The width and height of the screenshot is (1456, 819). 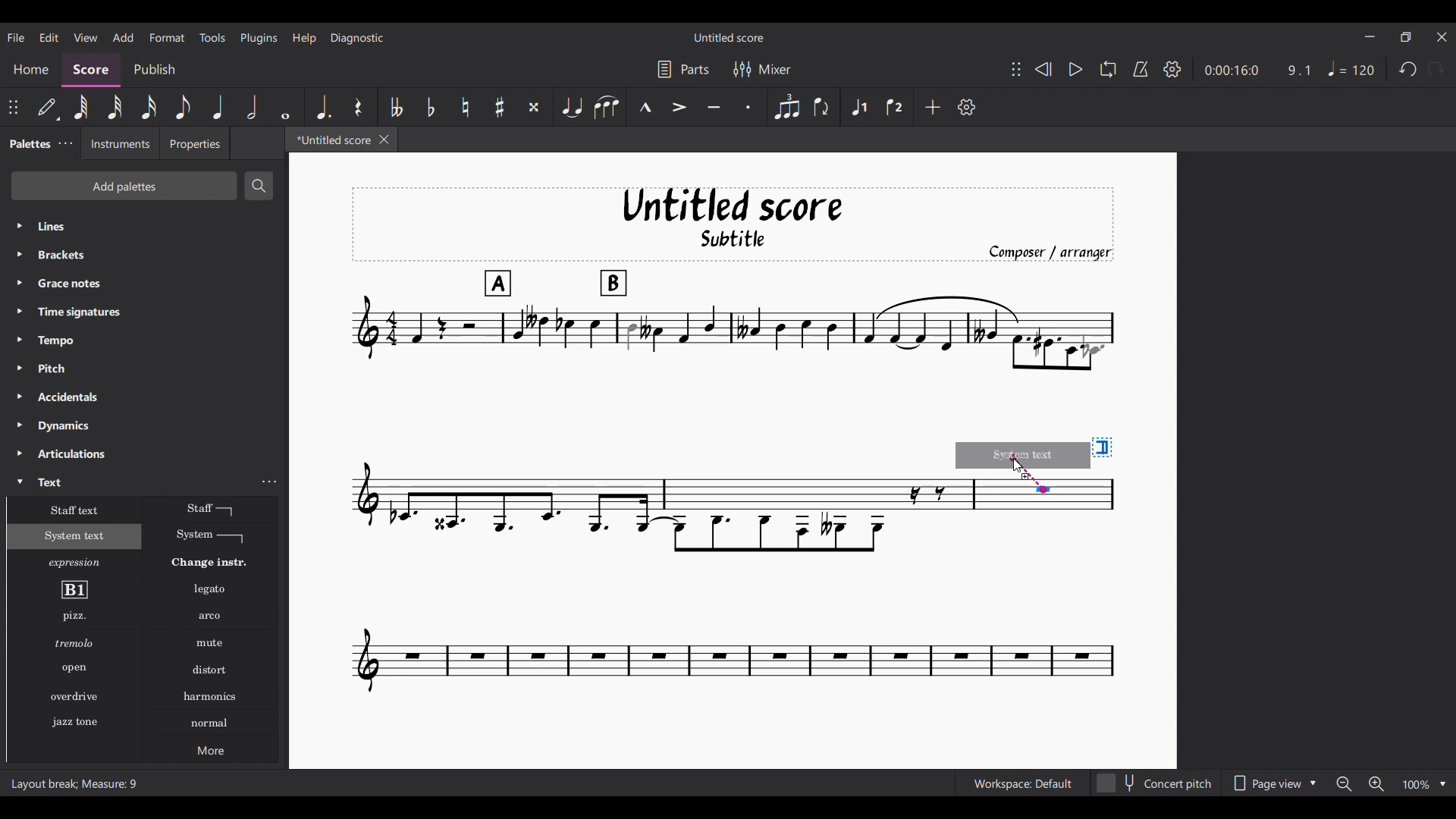 What do you see at coordinates (74, 589) in the screenshot?
I see `Rehearsal mark` at bounding box center [74, 589].